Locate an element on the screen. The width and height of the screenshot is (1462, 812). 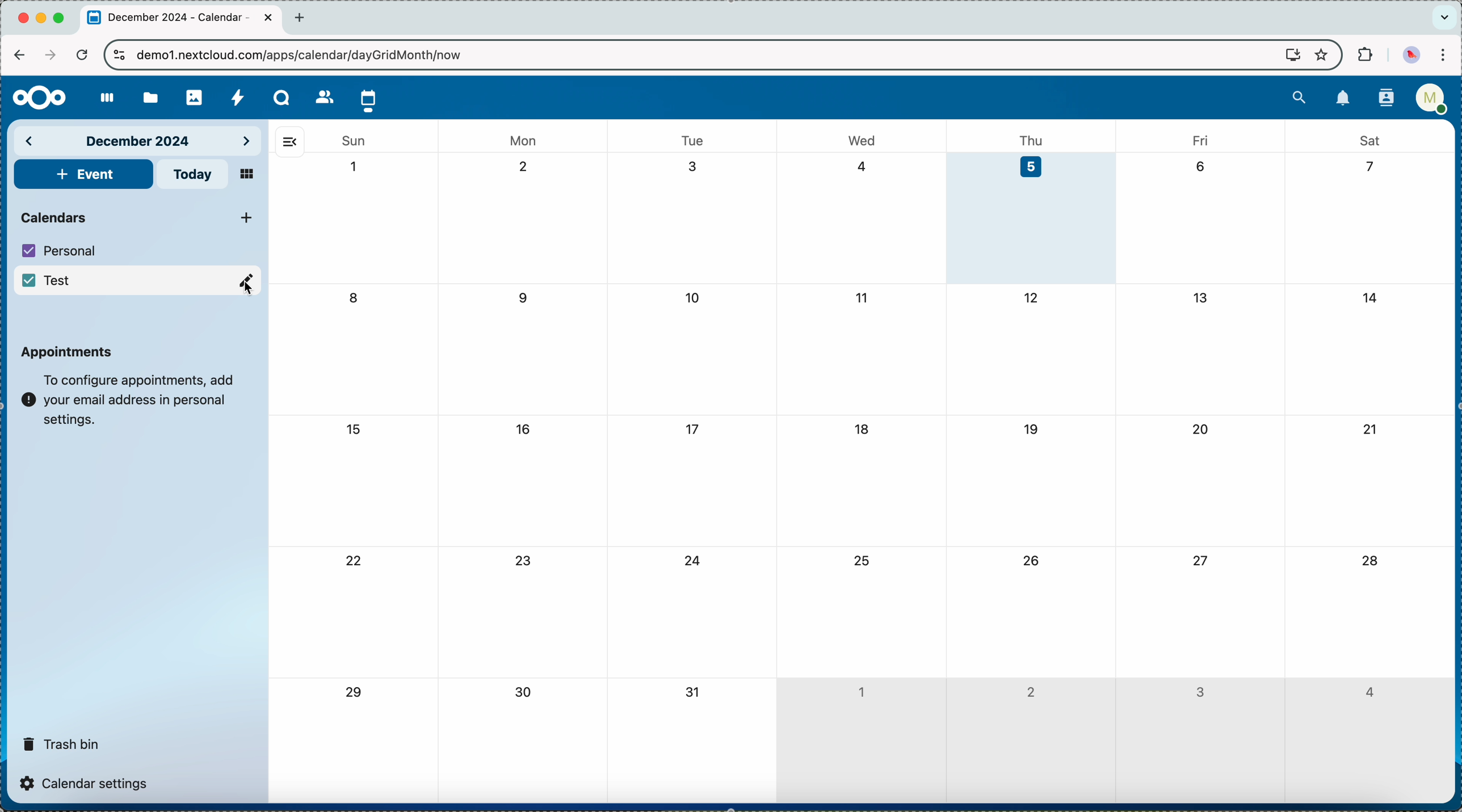
note is located at coordinates (129, 396).